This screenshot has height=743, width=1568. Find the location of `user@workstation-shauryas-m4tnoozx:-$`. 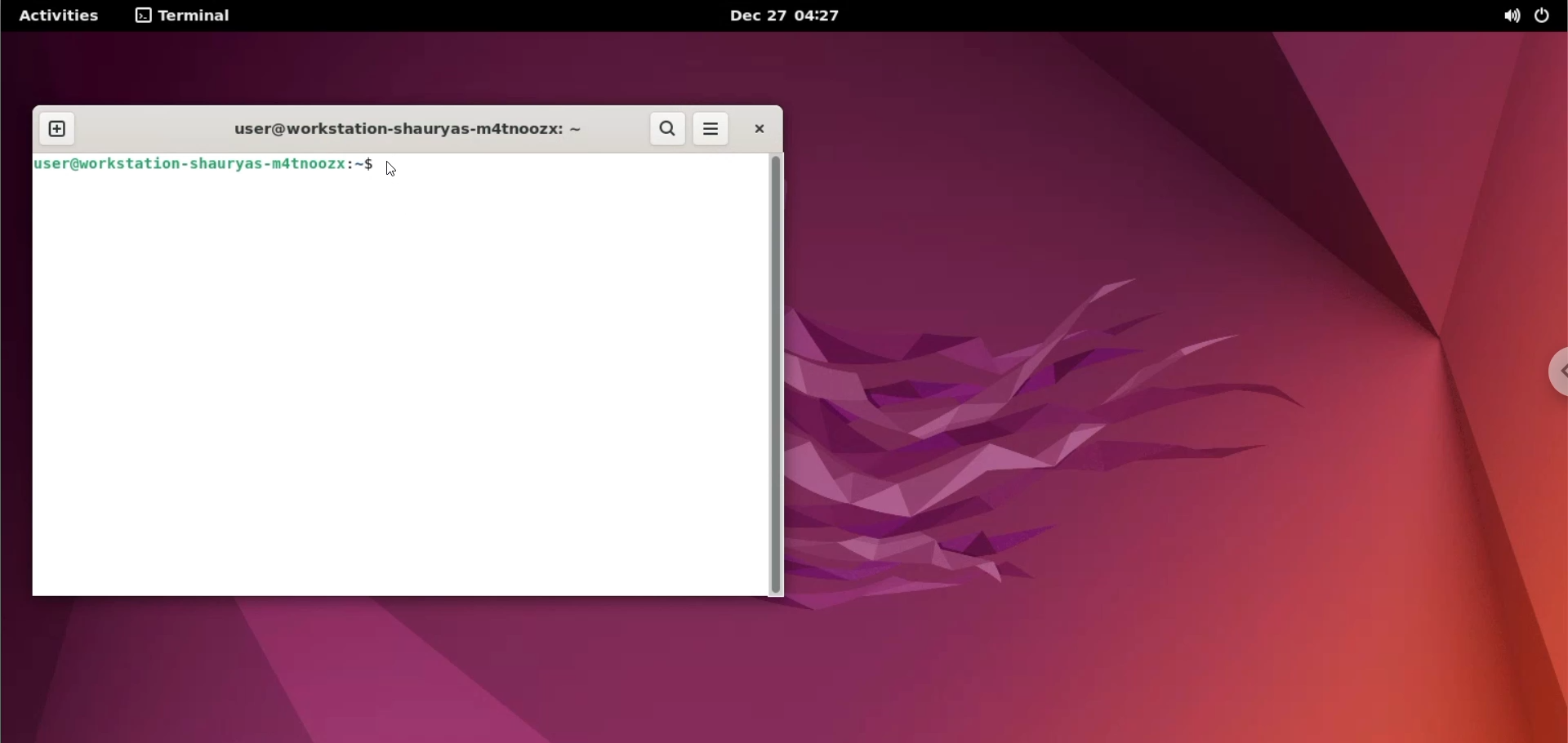

user@workstation-shauryas-m4tnoozx:-$ is located at coordinates (201, 164).